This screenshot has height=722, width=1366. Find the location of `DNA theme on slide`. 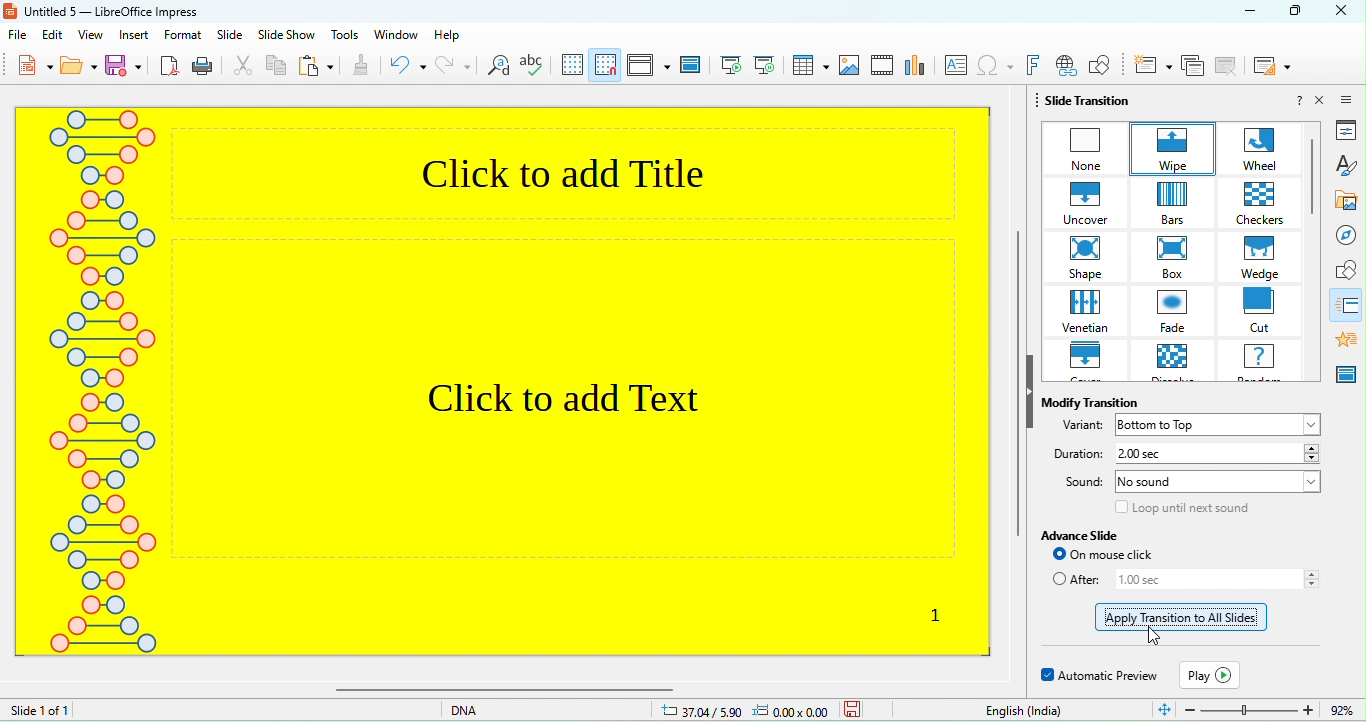

DNA theme on slide is located at coordinates (99, 397).